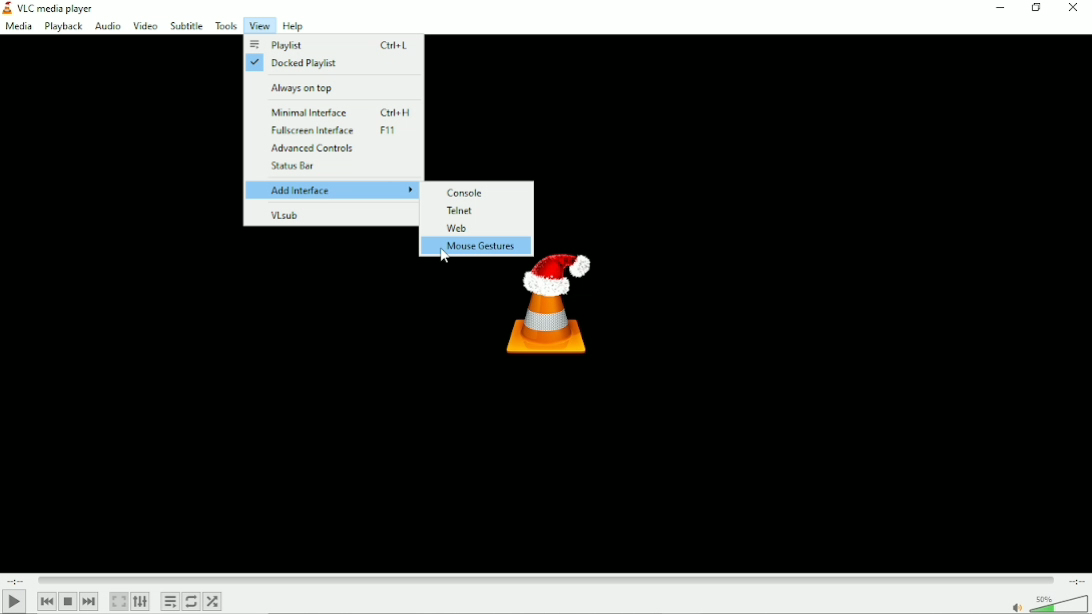  Describe the element at coordinates (332, 167) in the screenshot. I see `Status bar` at that location.